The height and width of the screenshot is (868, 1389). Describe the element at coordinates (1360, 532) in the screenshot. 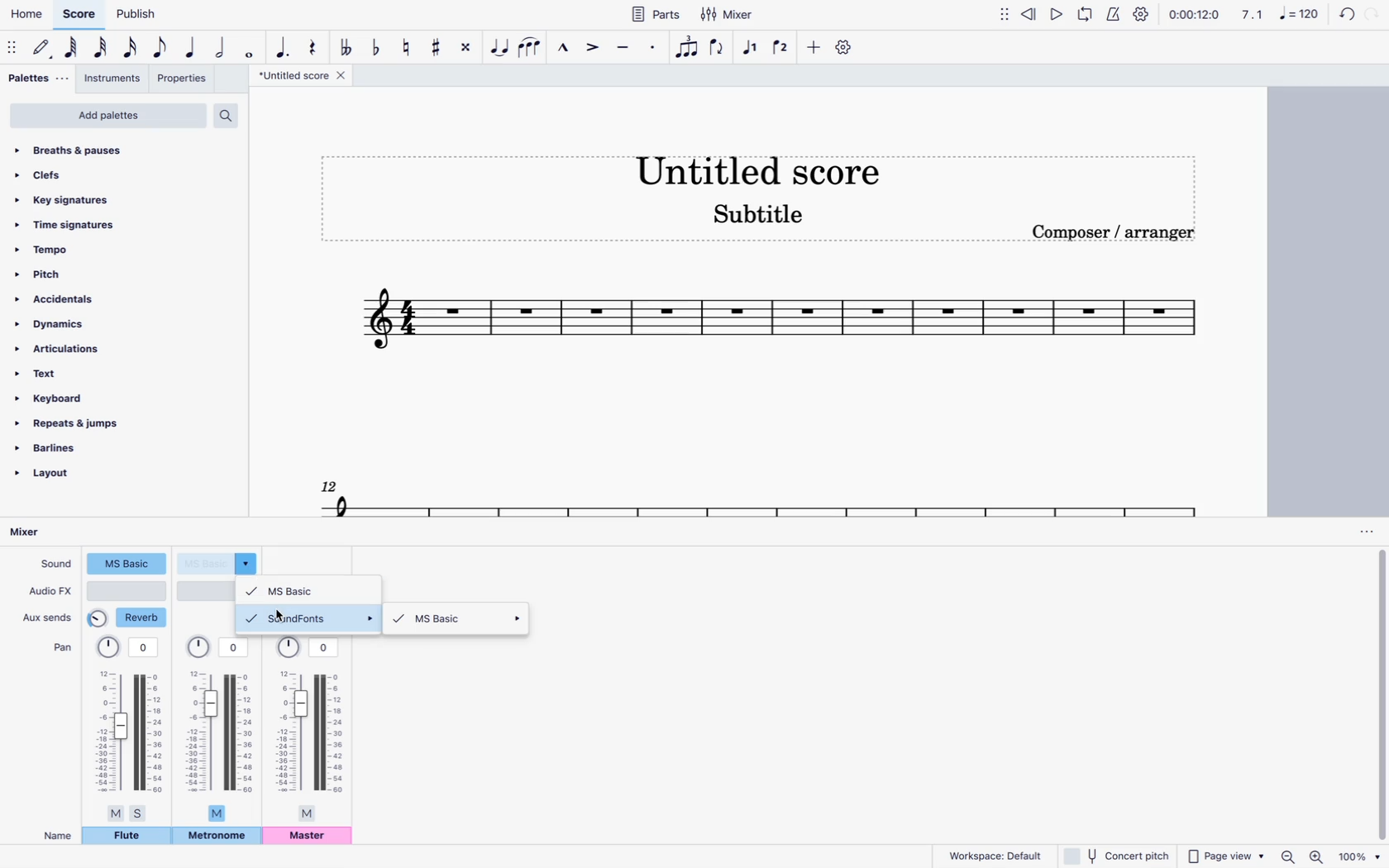

I see `options` at that location.